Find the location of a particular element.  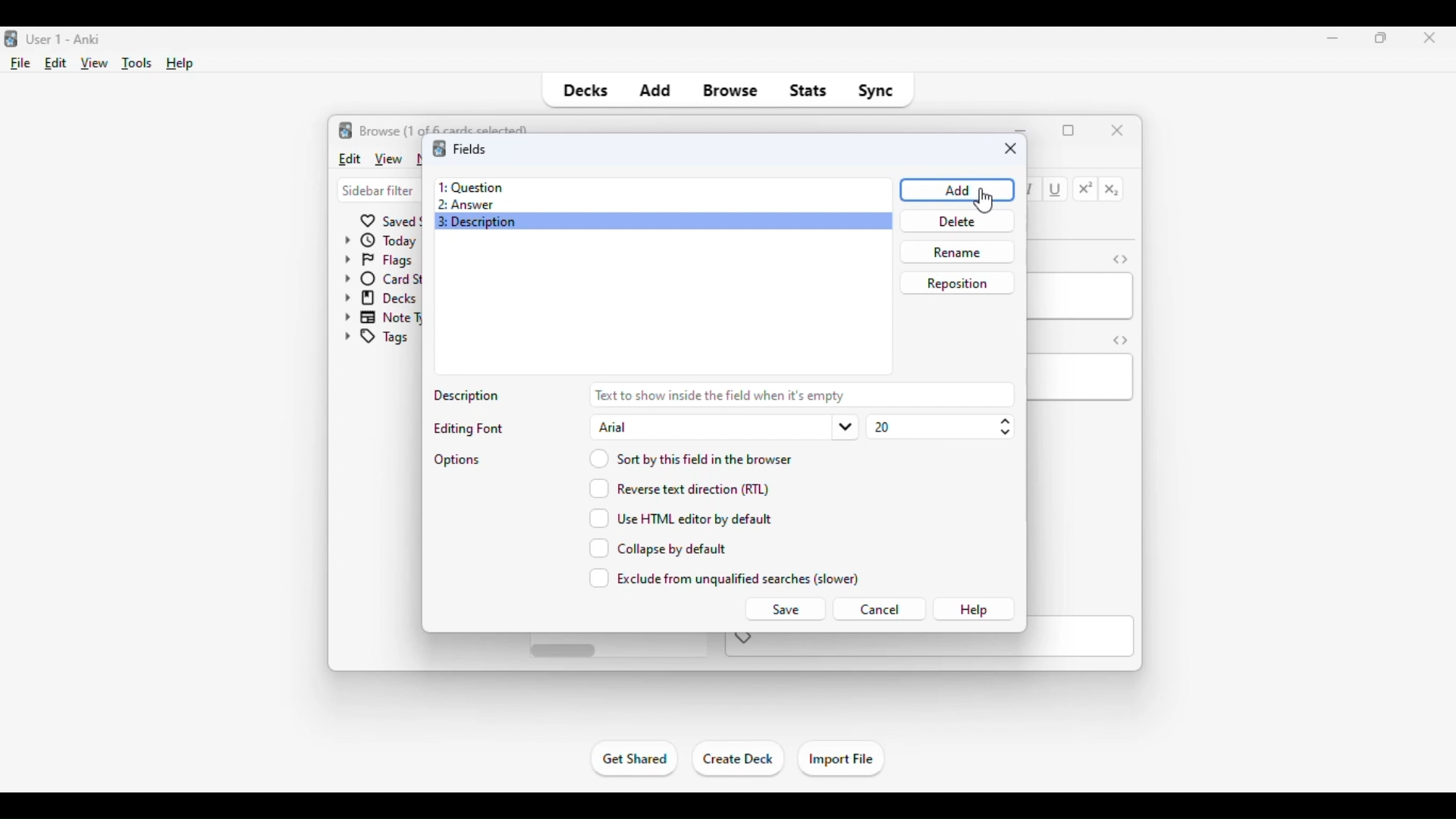

logo is located at coordinates (438, 149).